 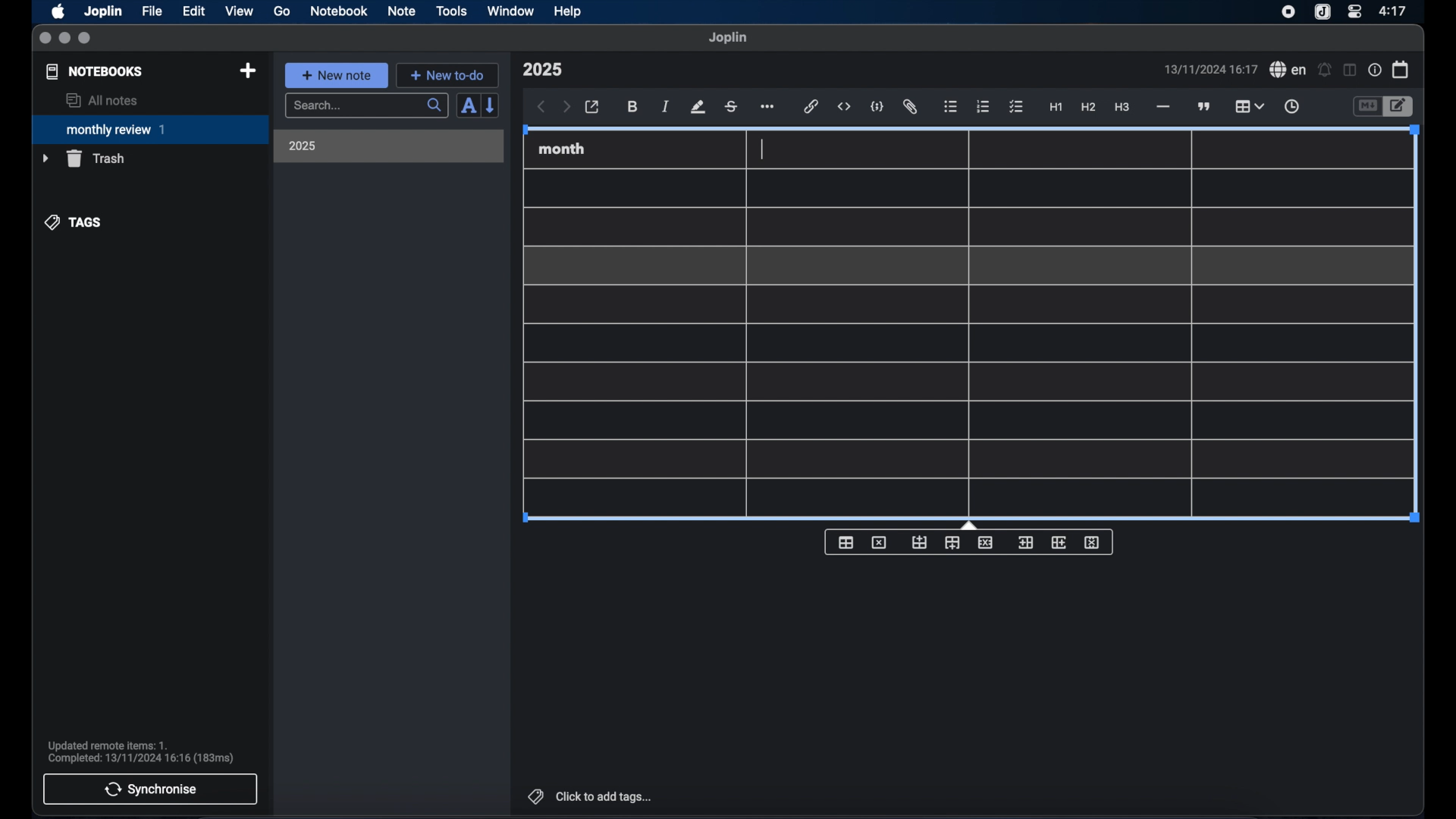 What do you see at coordinates (879, 543) in the screenshot?
I see `delete table` at bounding box center [879, 543].